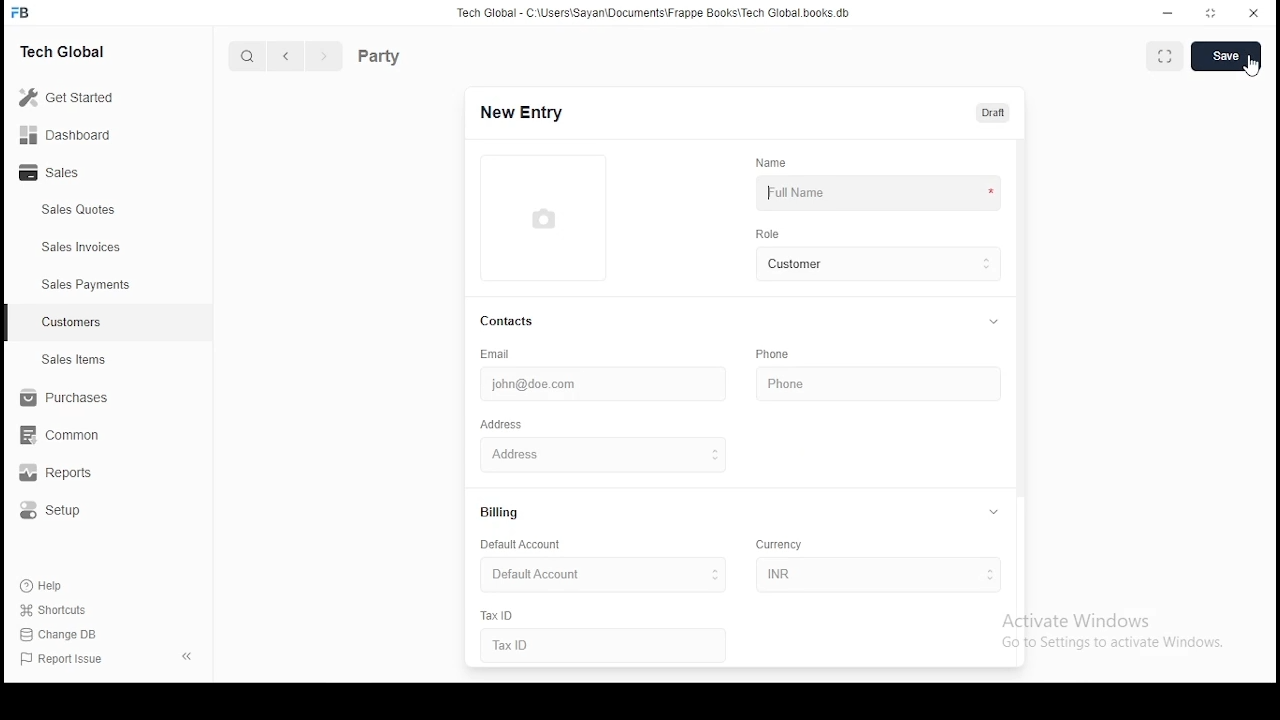 The width and height of the screenshot is (1280, 720). What do you see at coordinates (54, 174) in the screenshot?
I see `sales` at bounding box center [54, 174].